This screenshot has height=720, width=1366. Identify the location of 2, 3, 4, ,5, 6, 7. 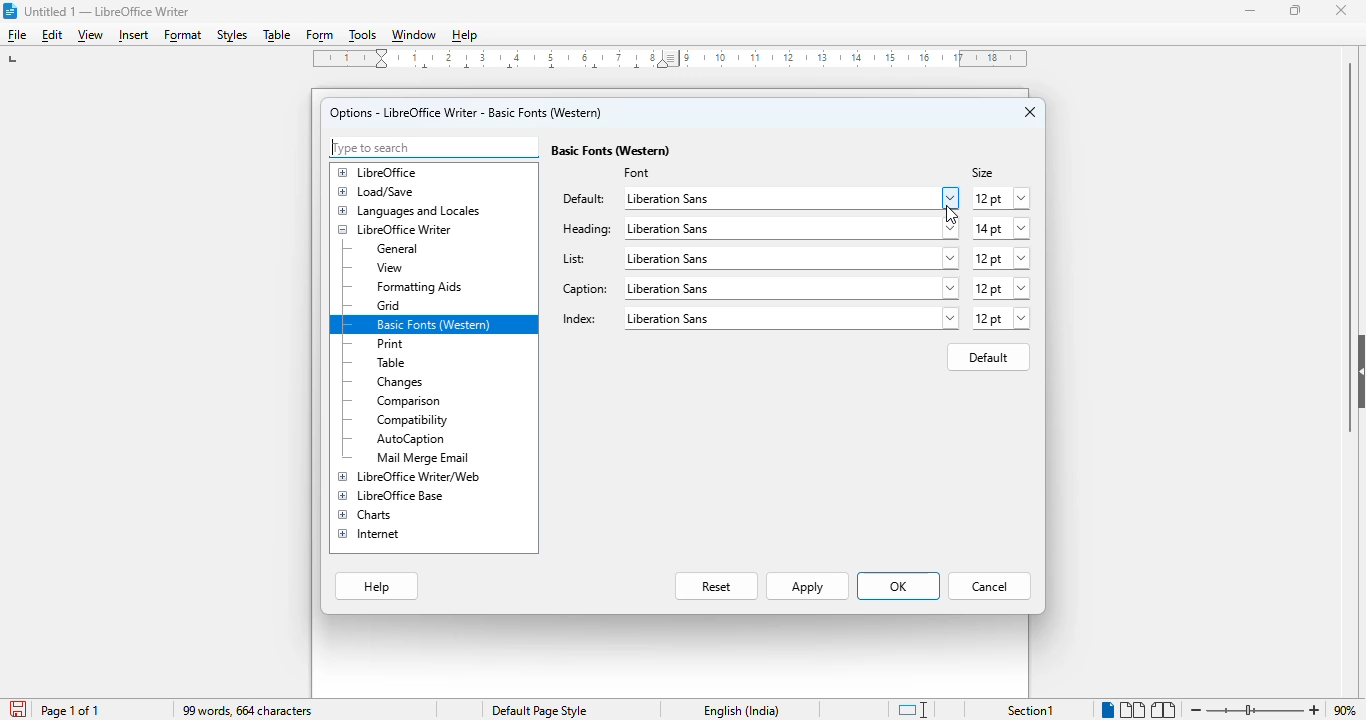
(529, 54).